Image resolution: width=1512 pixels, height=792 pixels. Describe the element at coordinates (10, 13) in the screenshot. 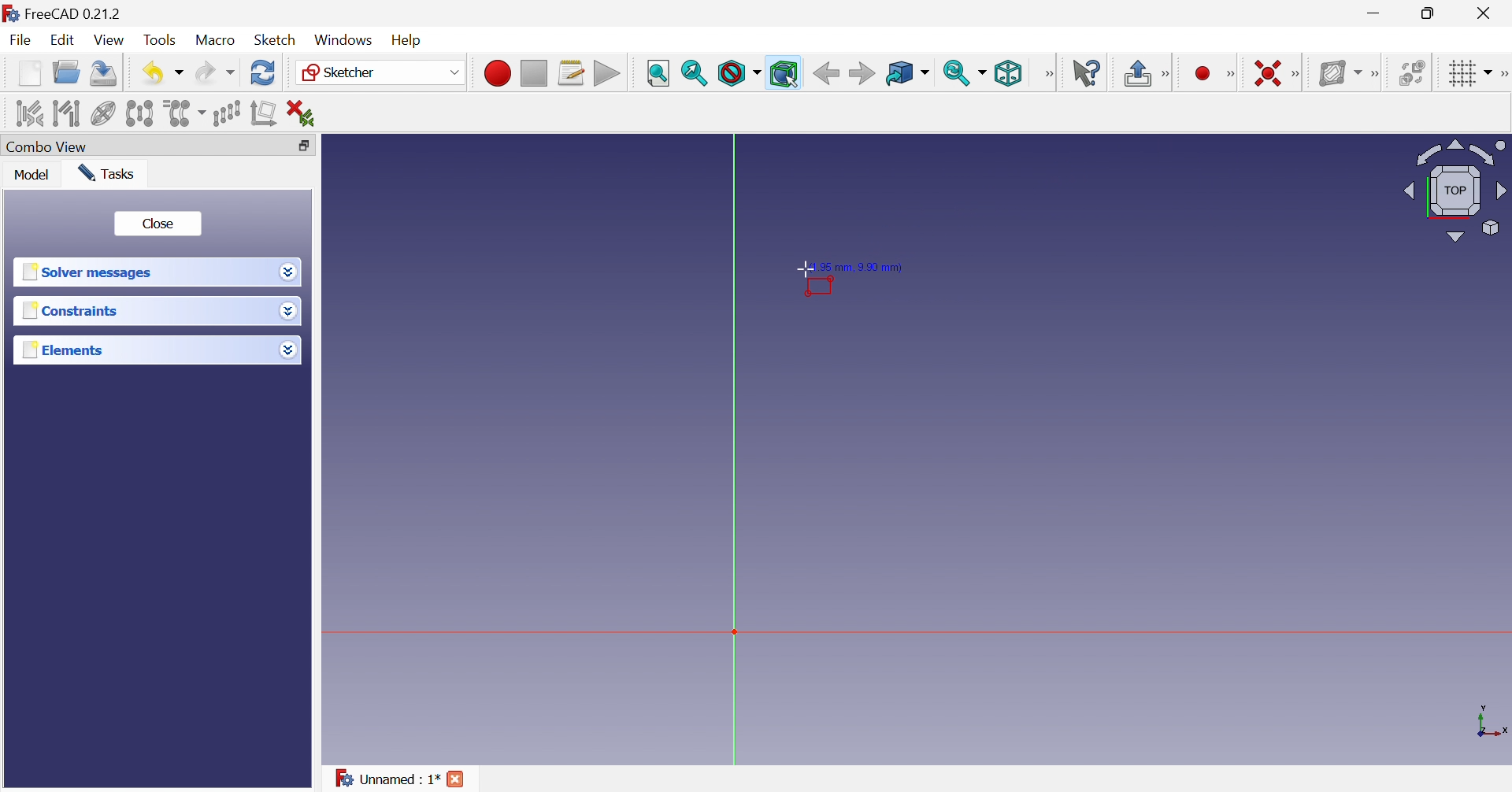

I see `logo` at that location.